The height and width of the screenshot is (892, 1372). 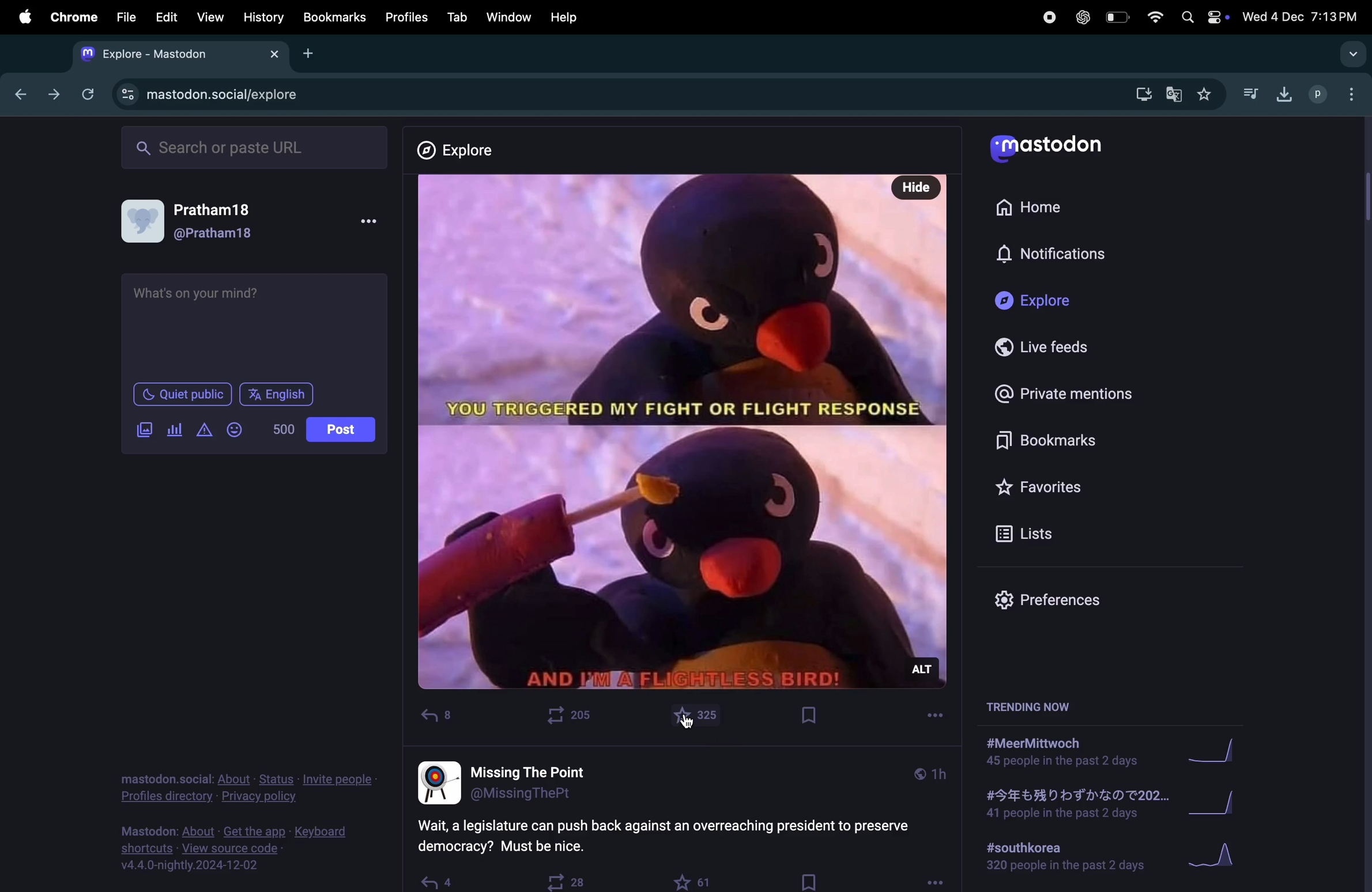 What do you see at coordinates (1199, 16) in the screenshot?
I see `apple widgets` at bounding box center [1199, 16].